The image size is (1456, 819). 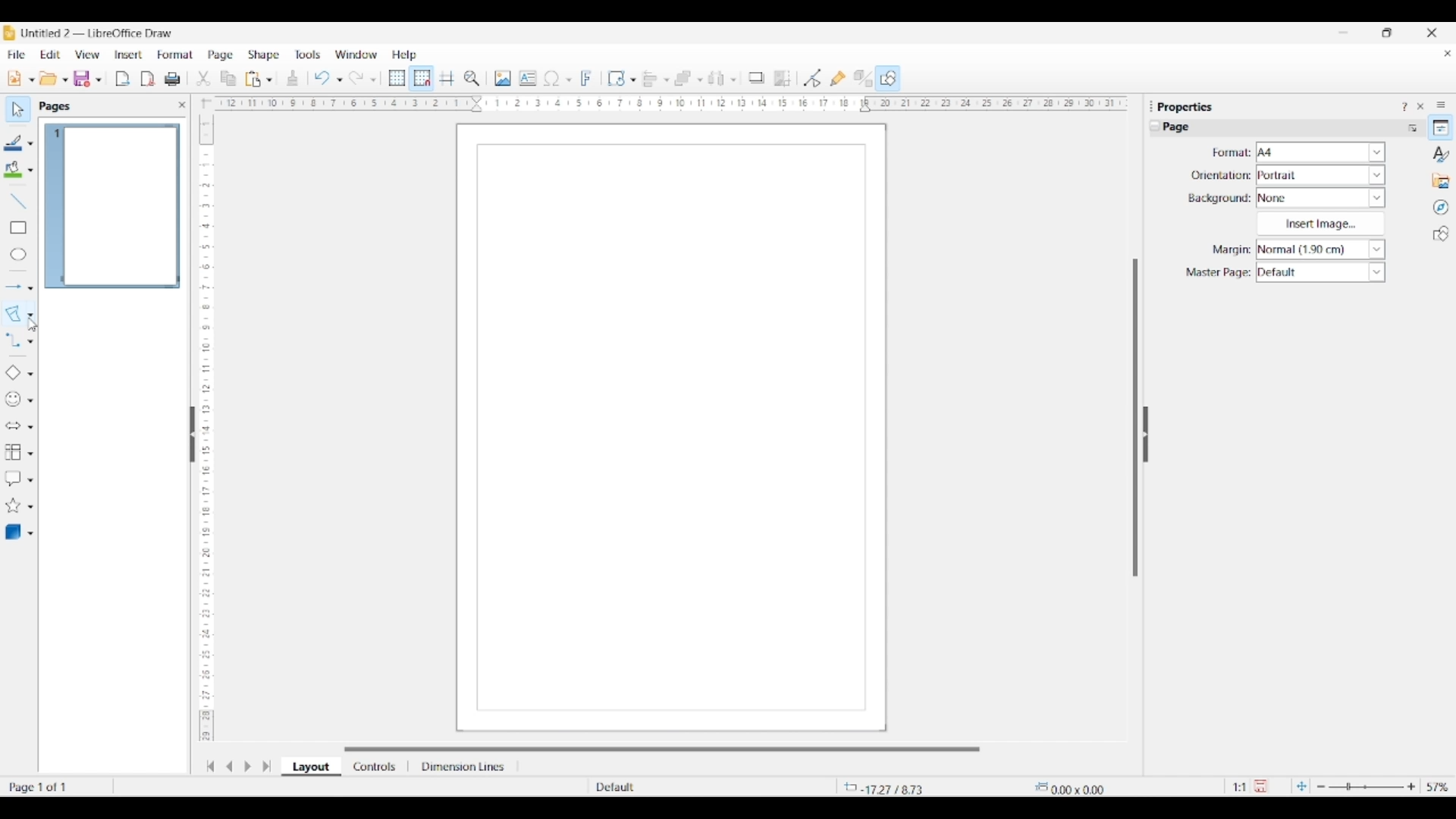 I want to click on Flowchart options, so click(x=30, y=453).